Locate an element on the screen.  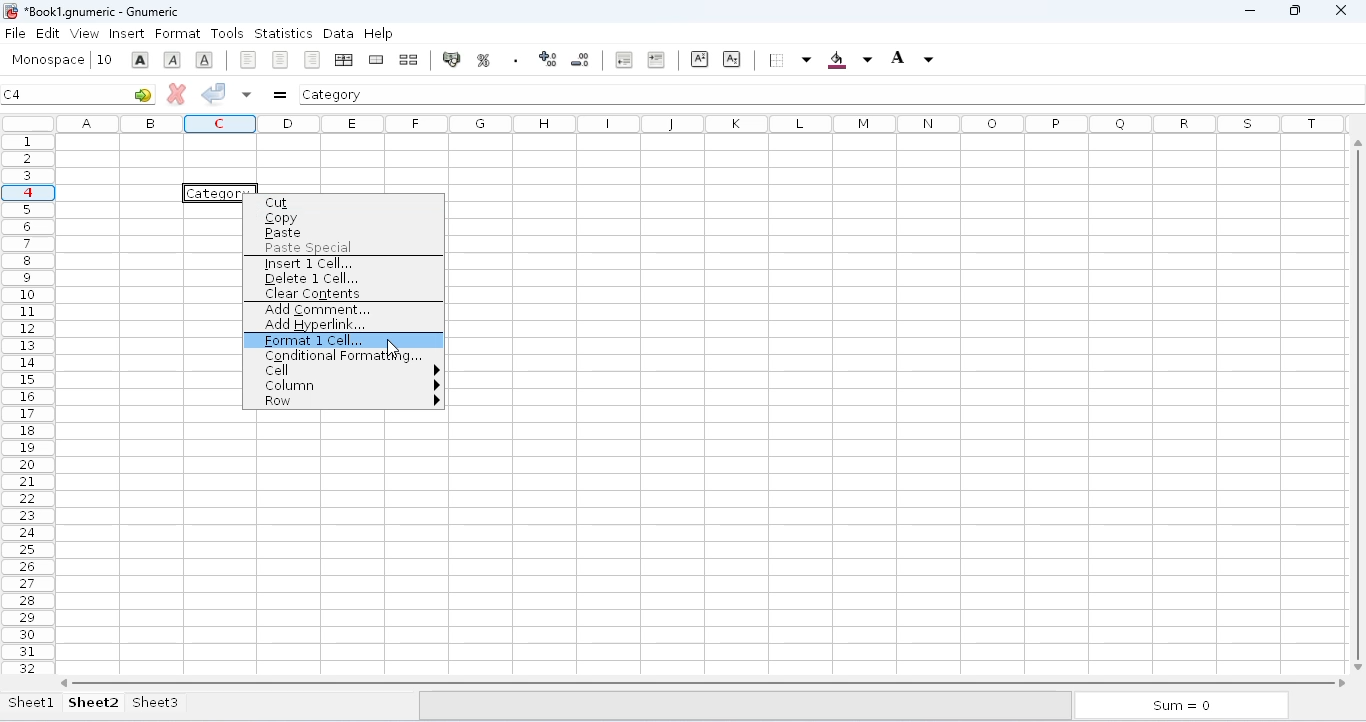
insert 1 cell is located at coordinates (306, 264).